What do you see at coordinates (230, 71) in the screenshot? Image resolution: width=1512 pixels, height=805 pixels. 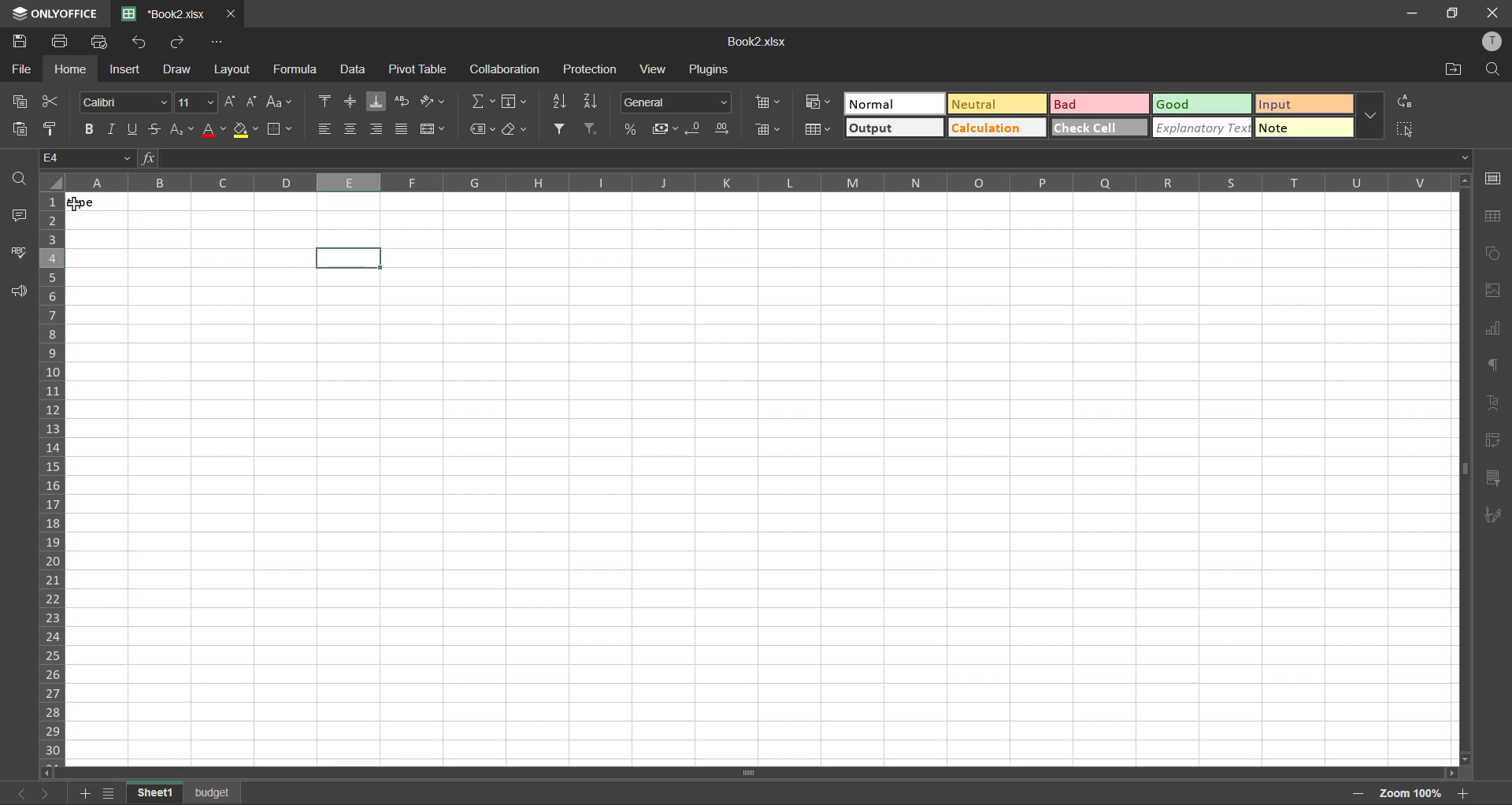 I see `layout` at bounding box center [230, 71].